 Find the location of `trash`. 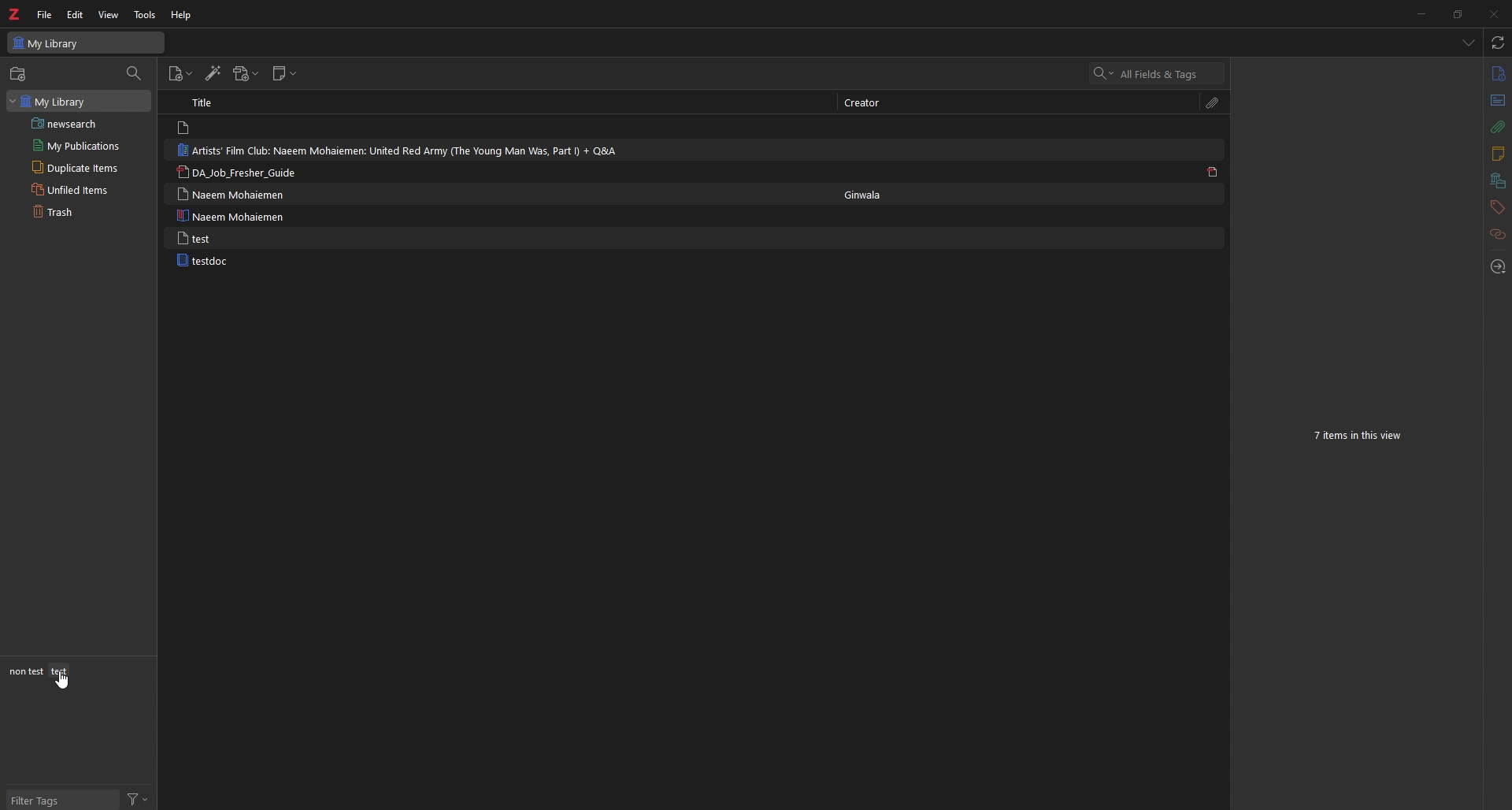

trash is located at coordinates (82, 214).